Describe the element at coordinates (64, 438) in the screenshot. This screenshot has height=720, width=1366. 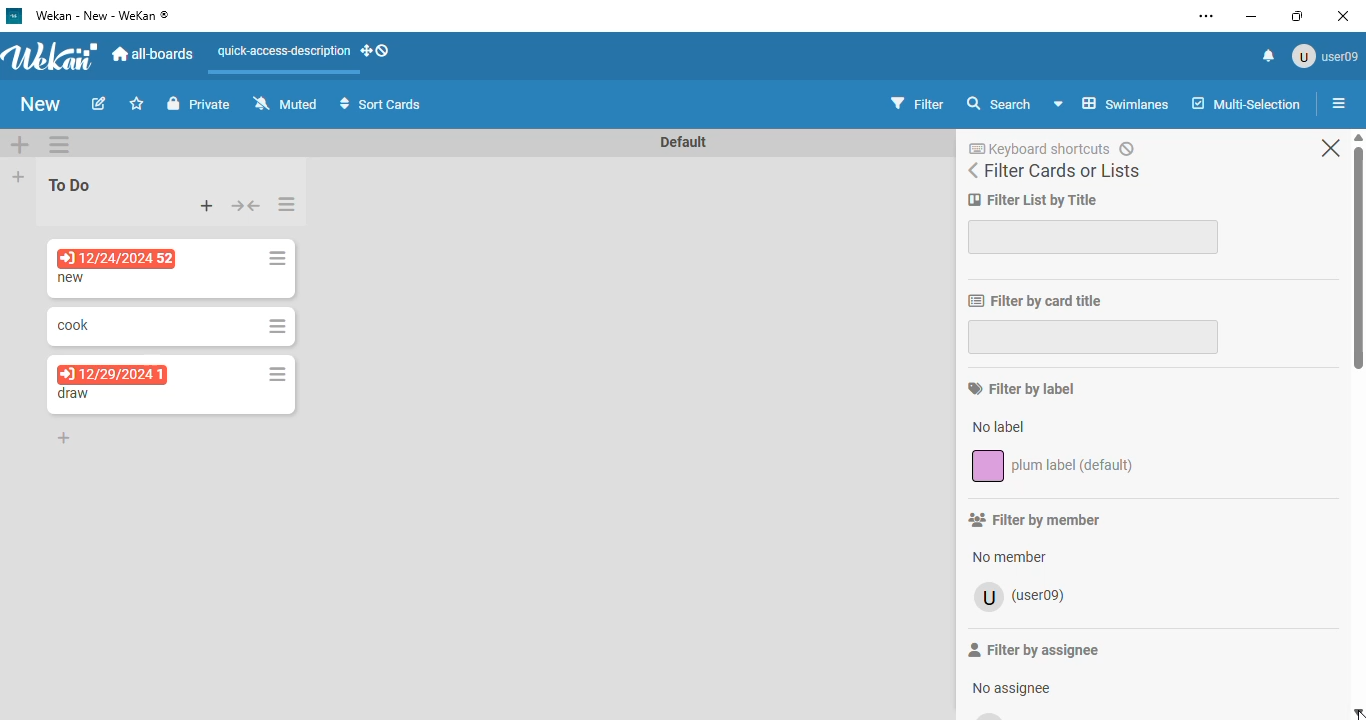
I see `add card to bottom of the list` at that location.